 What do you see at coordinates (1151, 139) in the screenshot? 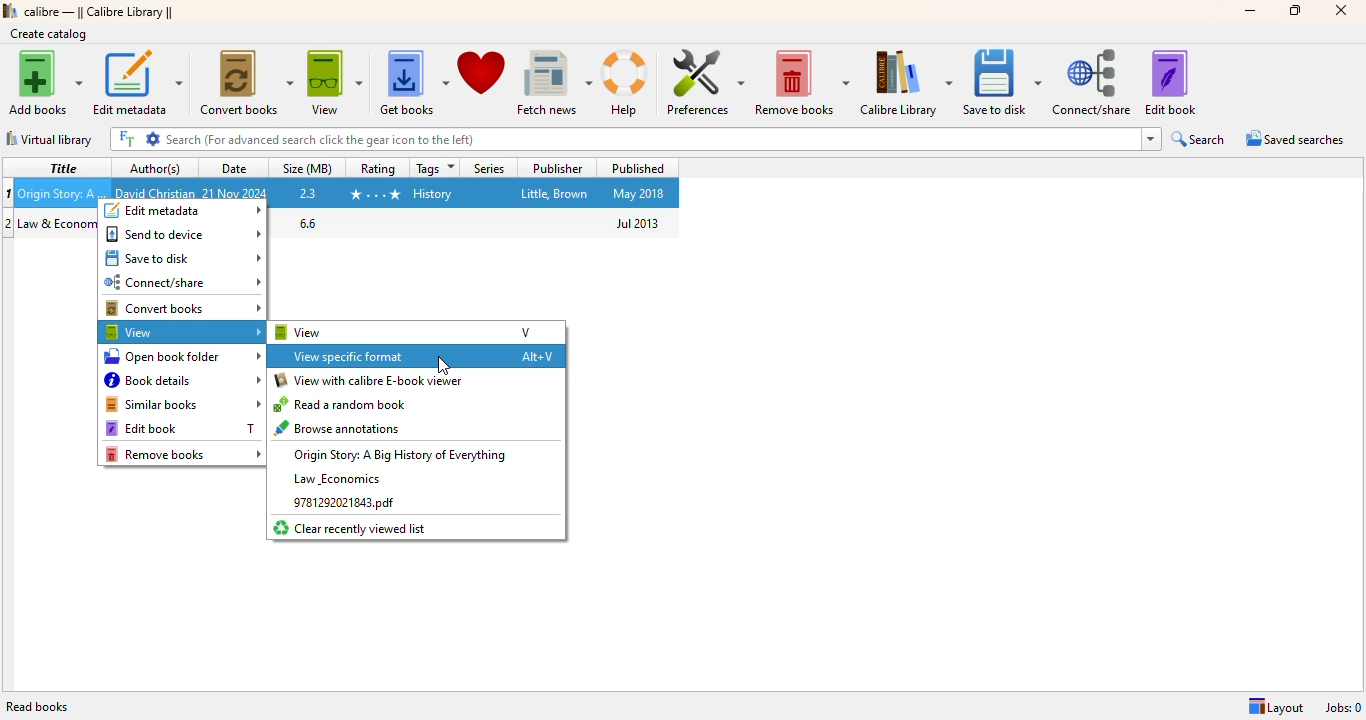
I see `dropdown` at bounding box center [1151, 139].